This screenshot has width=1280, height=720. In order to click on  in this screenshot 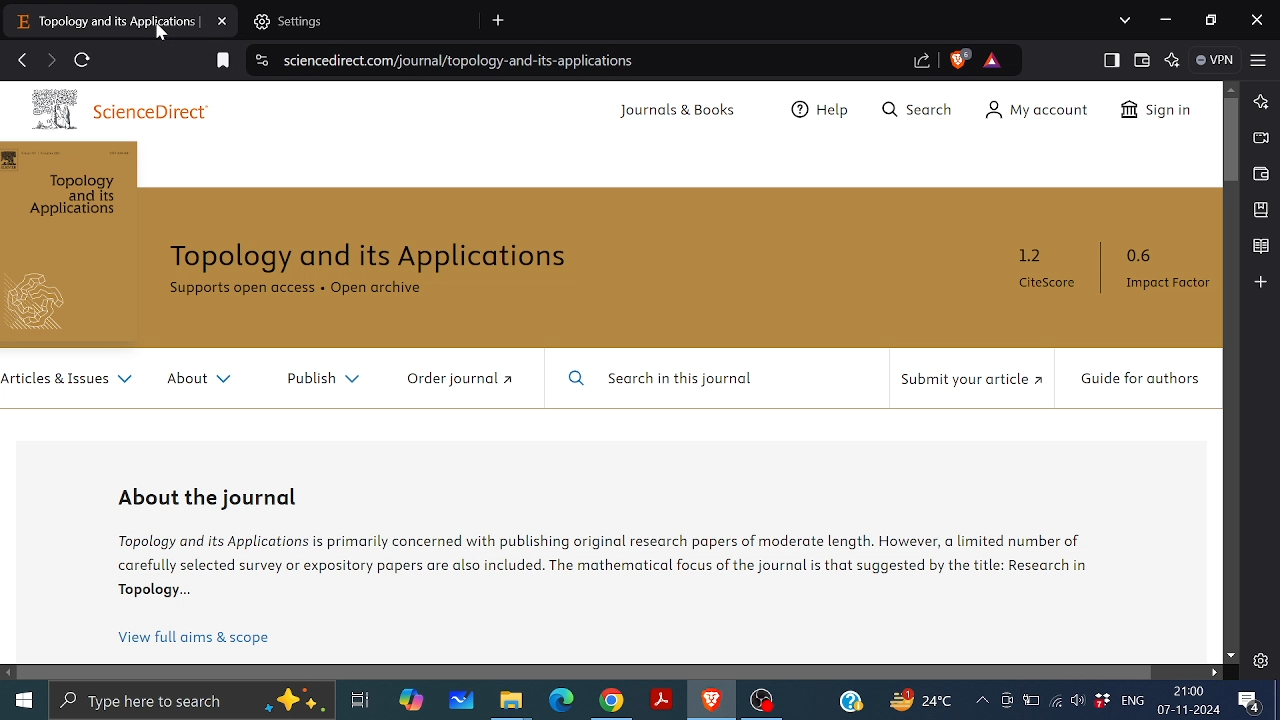, I will do `click(980, 702)`.